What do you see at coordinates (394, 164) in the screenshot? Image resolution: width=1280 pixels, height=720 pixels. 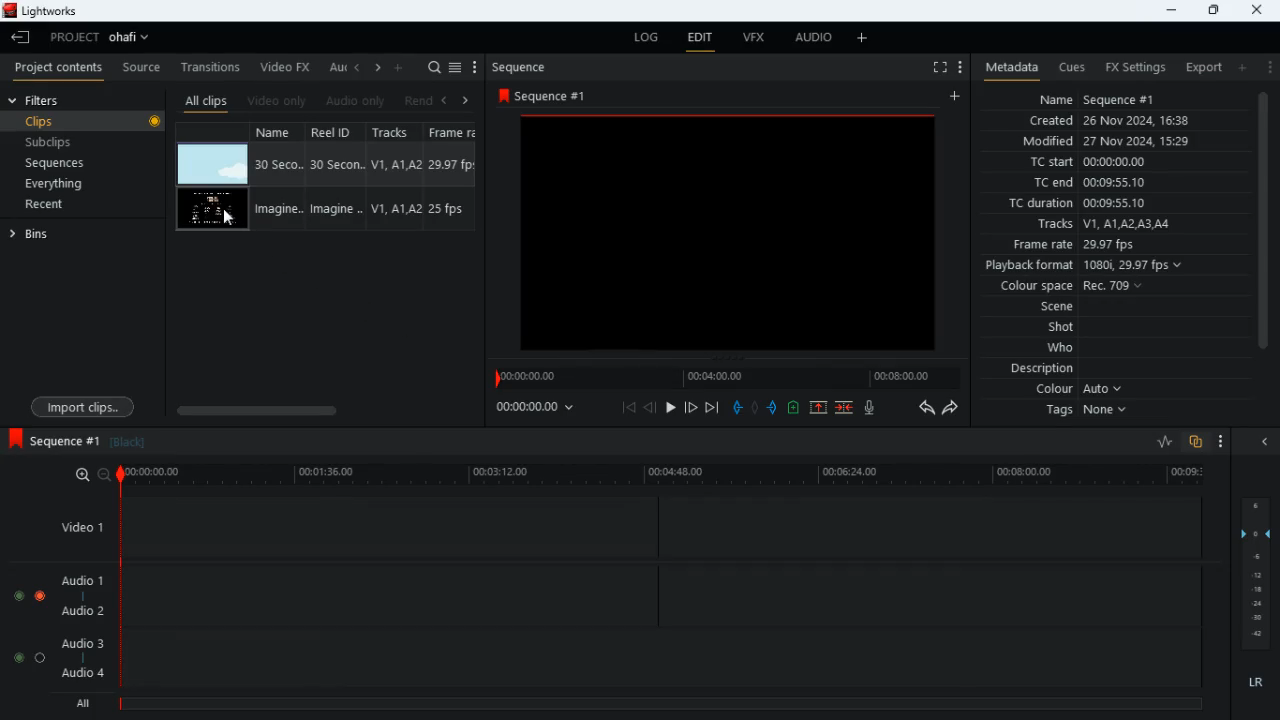 I see `V1, A1, A2` at bounding box center [394, 164].